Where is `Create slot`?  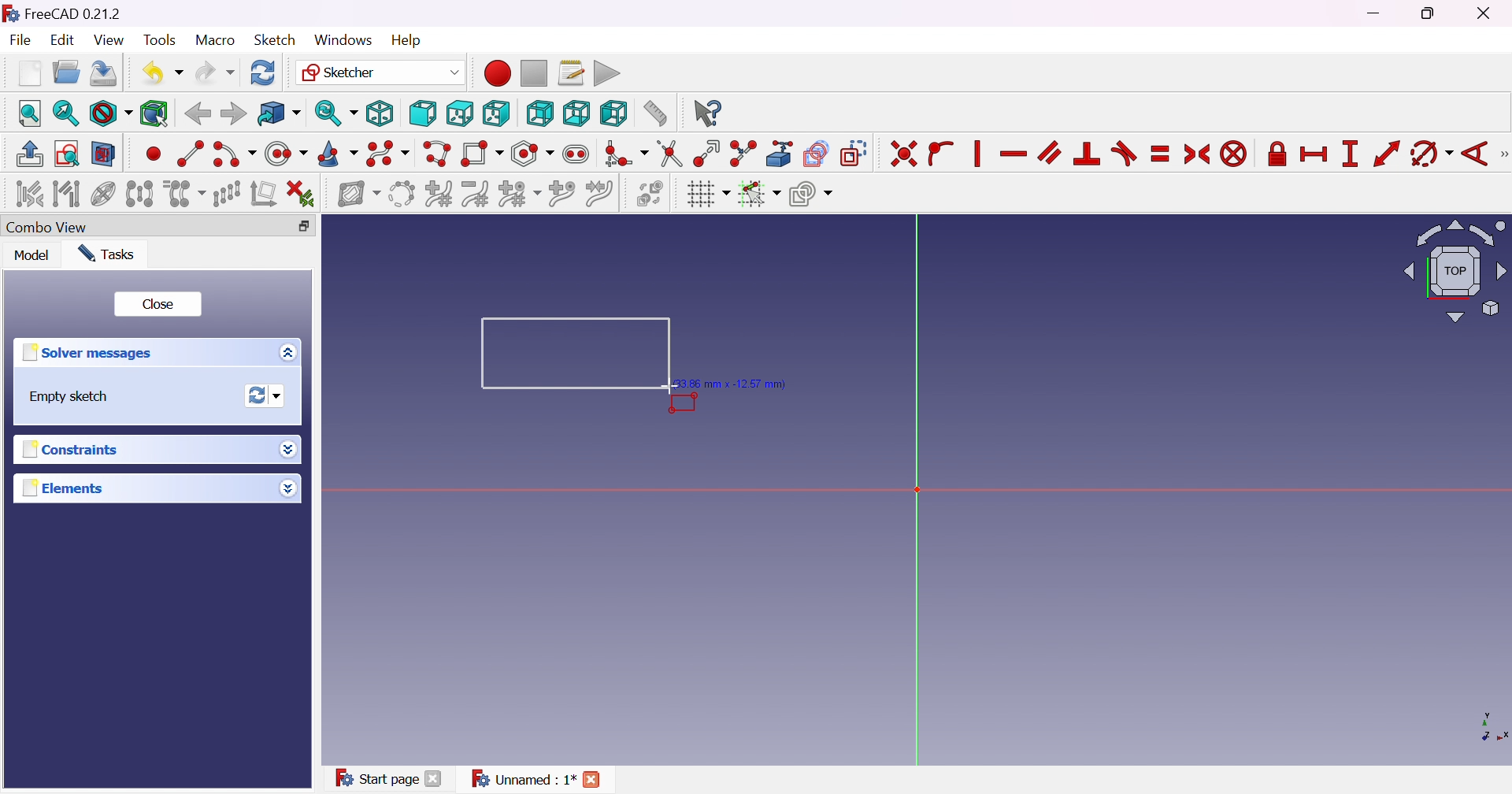
Create slot is located at coordinates (578, 154).